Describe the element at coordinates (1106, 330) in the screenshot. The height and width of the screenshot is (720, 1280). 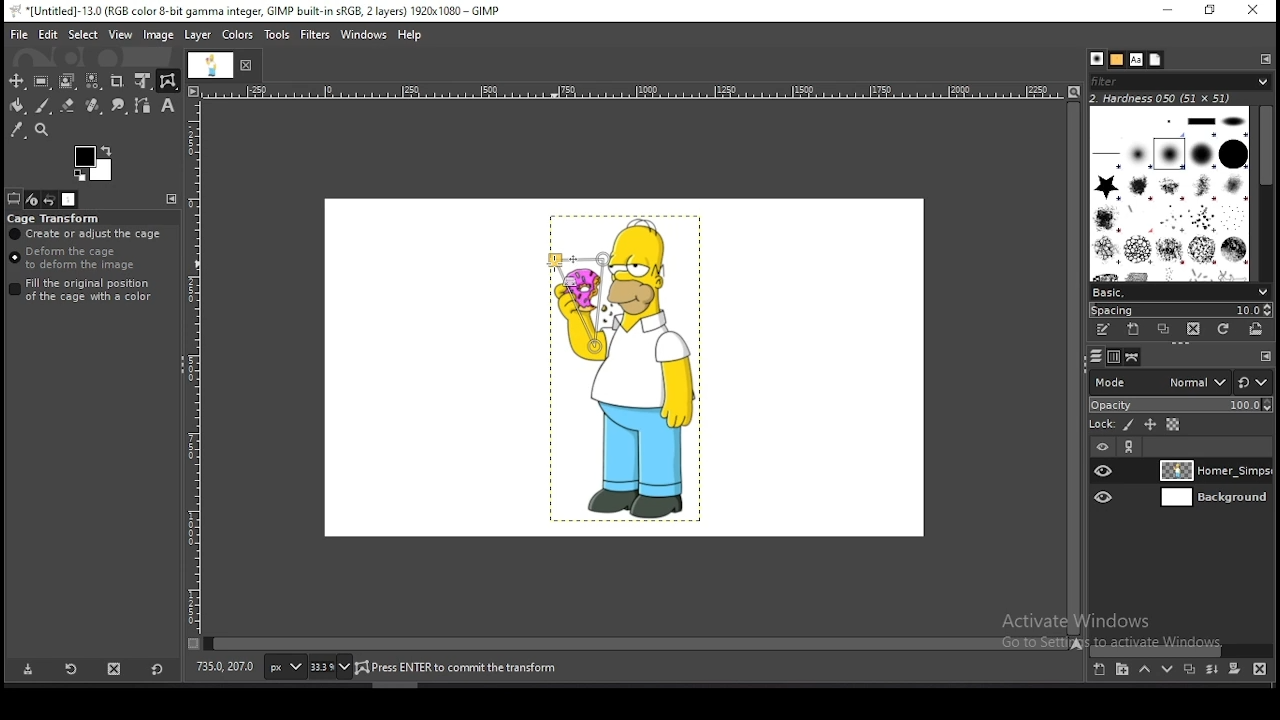
I see `edit this brush` at that location.